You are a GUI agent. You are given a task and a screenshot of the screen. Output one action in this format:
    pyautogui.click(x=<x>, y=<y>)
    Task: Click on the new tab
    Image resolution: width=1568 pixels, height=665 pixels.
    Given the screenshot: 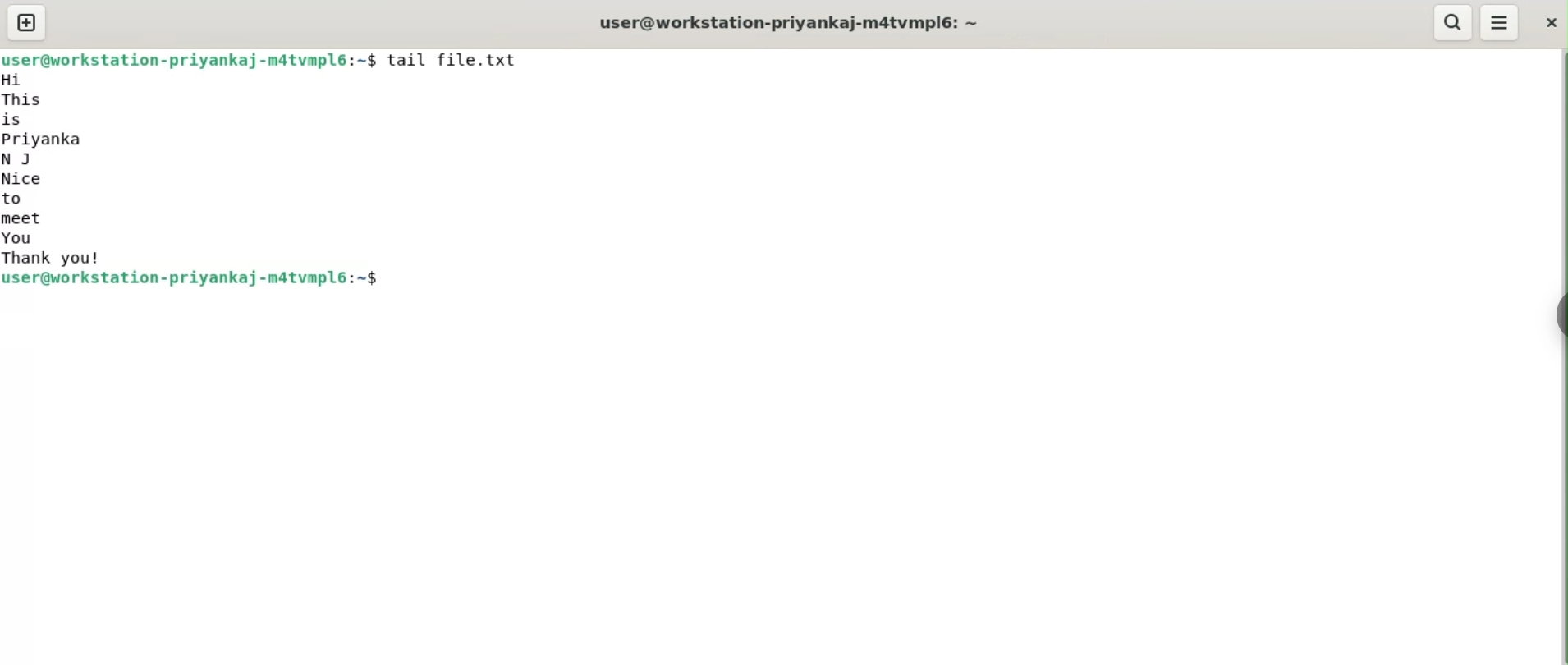 What is the action you would take?
    pyautogui.click(x=27, y=22)
    